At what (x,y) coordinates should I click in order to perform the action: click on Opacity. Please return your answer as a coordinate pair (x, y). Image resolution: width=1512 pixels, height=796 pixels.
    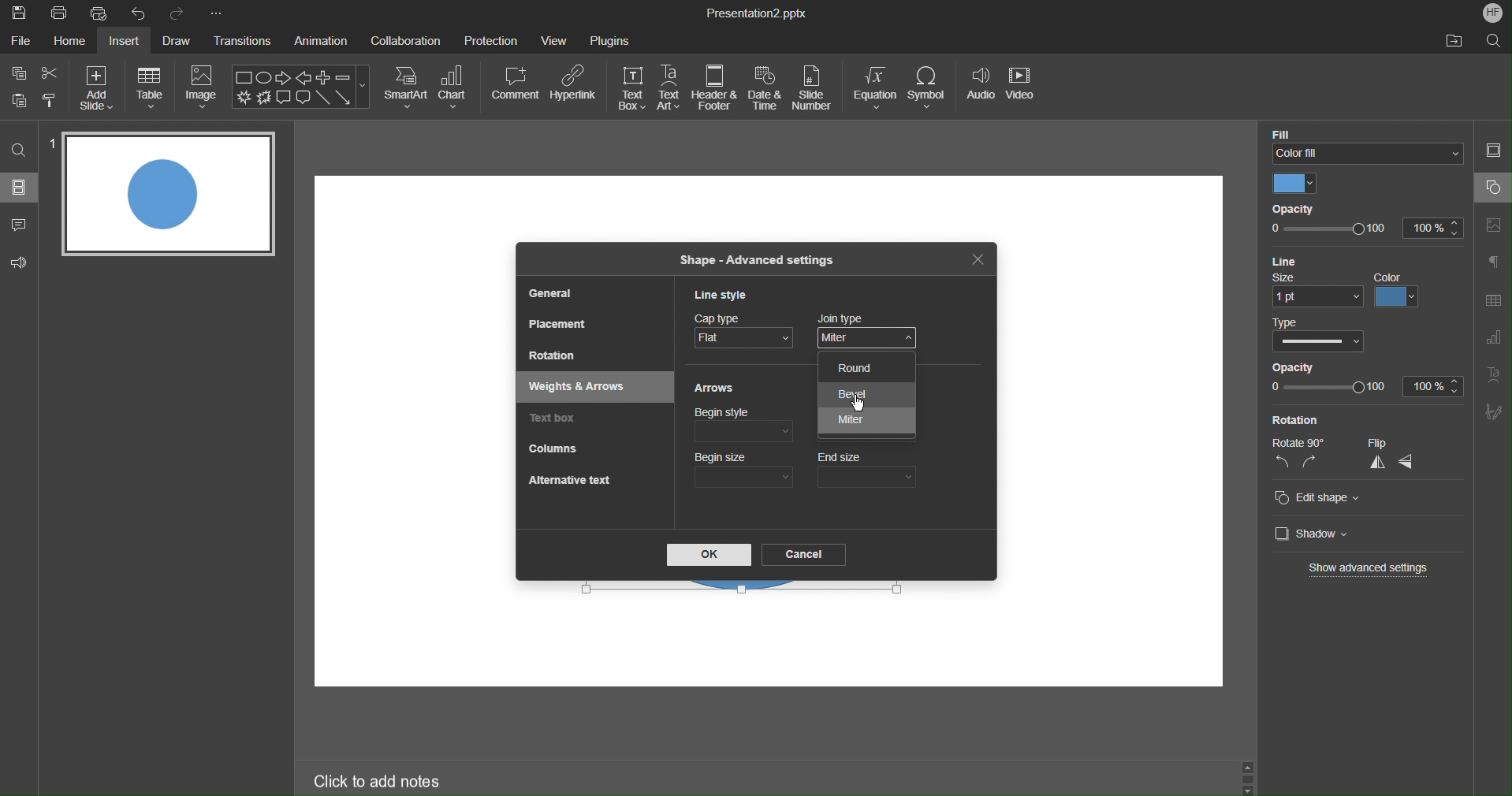
    Looking at the image, I should click on (1294, 209).